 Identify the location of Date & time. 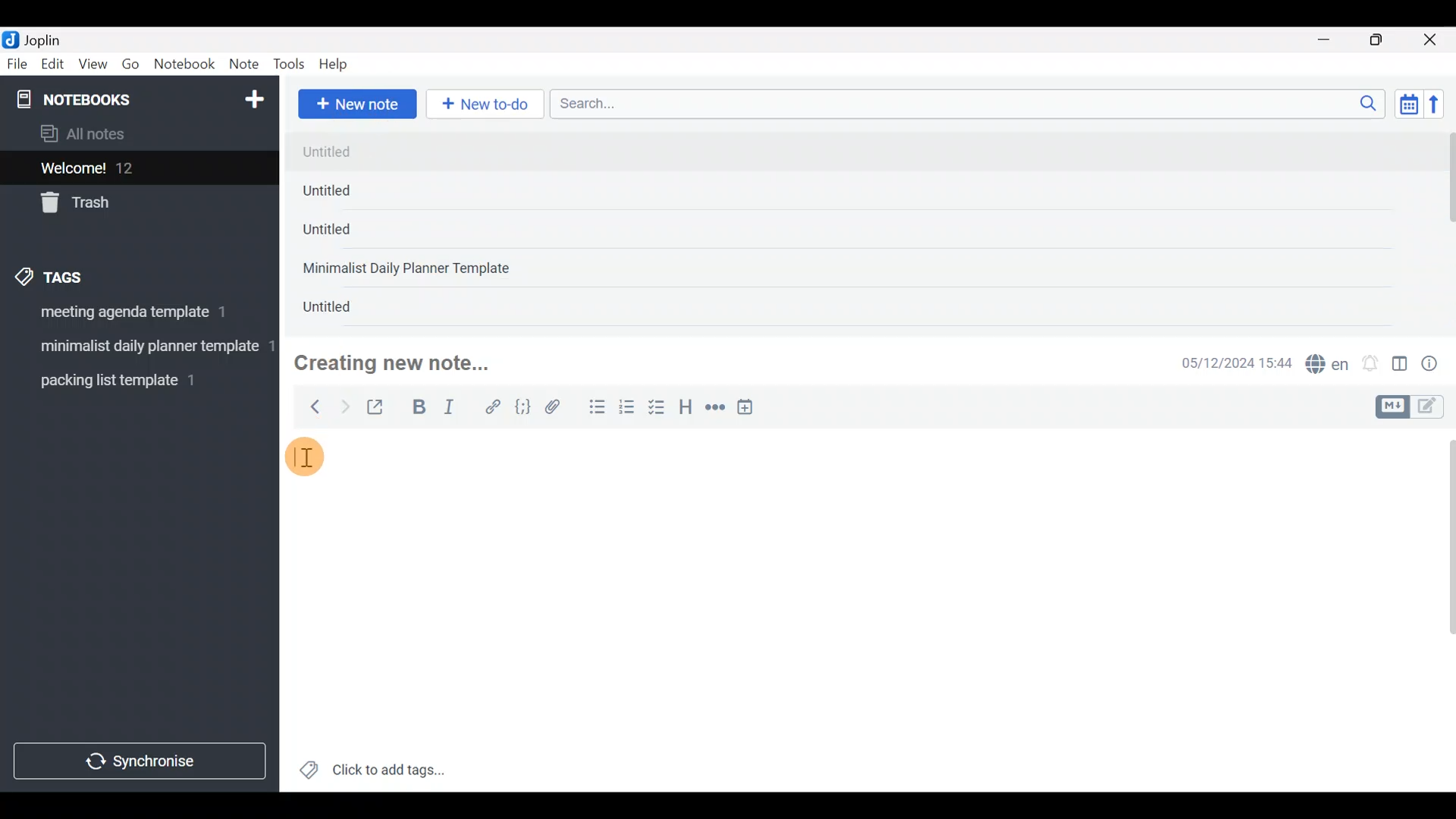
(1225, 362).